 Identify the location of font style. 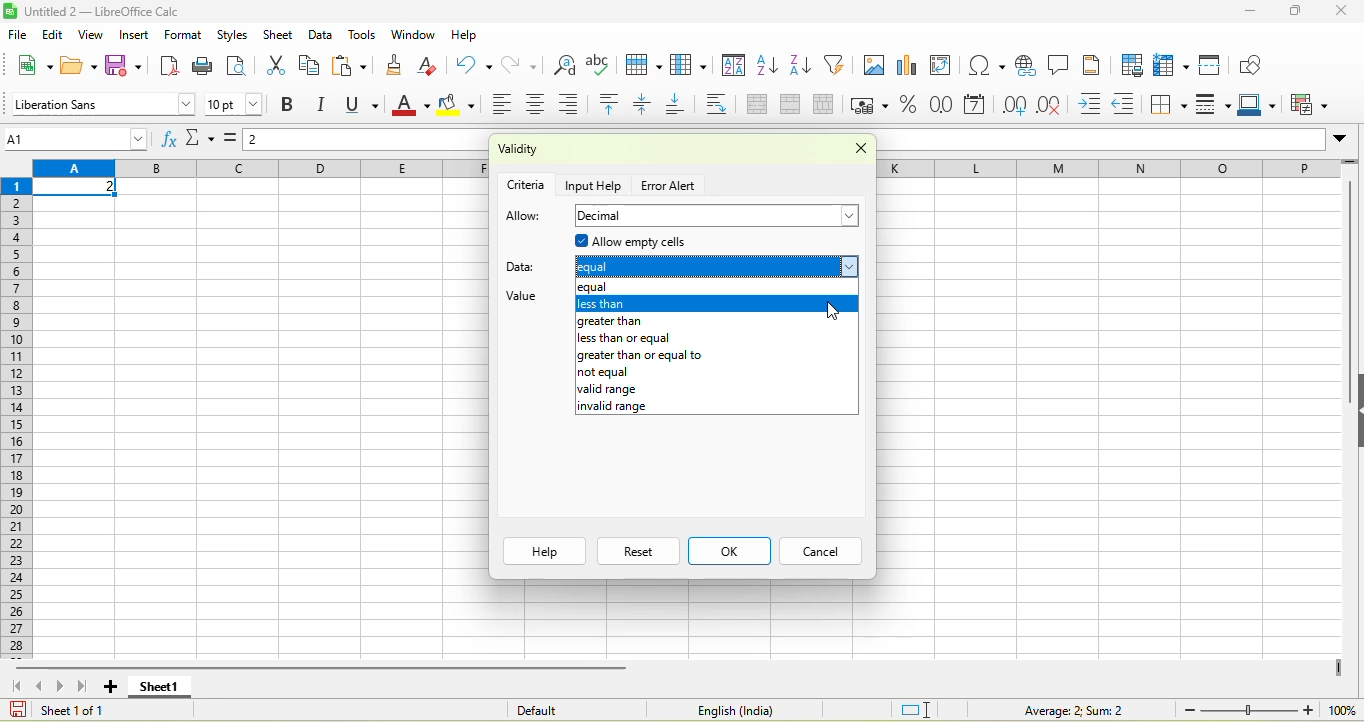
(101, 103).